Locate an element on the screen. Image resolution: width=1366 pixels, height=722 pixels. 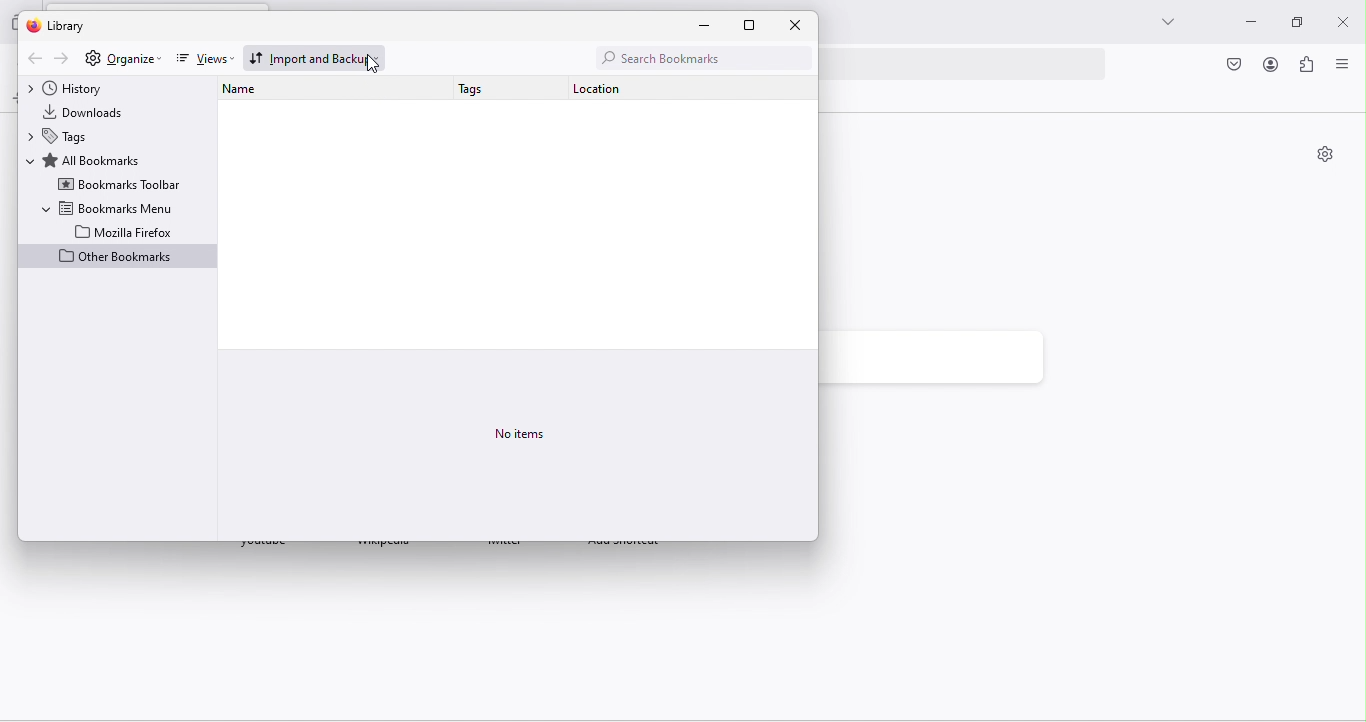
tags is located at coordinates (481, 91).